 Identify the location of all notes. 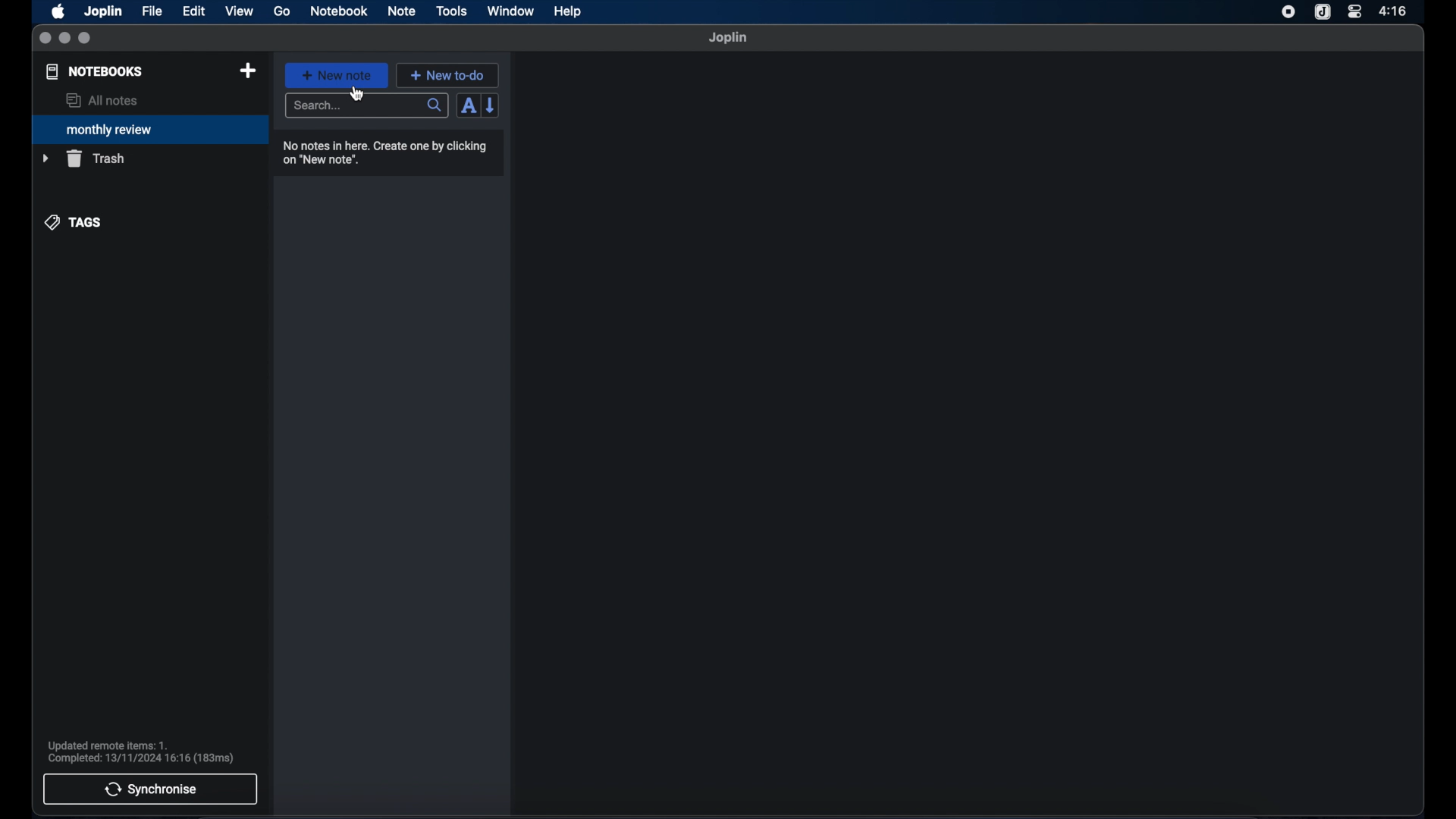
(102, 100).